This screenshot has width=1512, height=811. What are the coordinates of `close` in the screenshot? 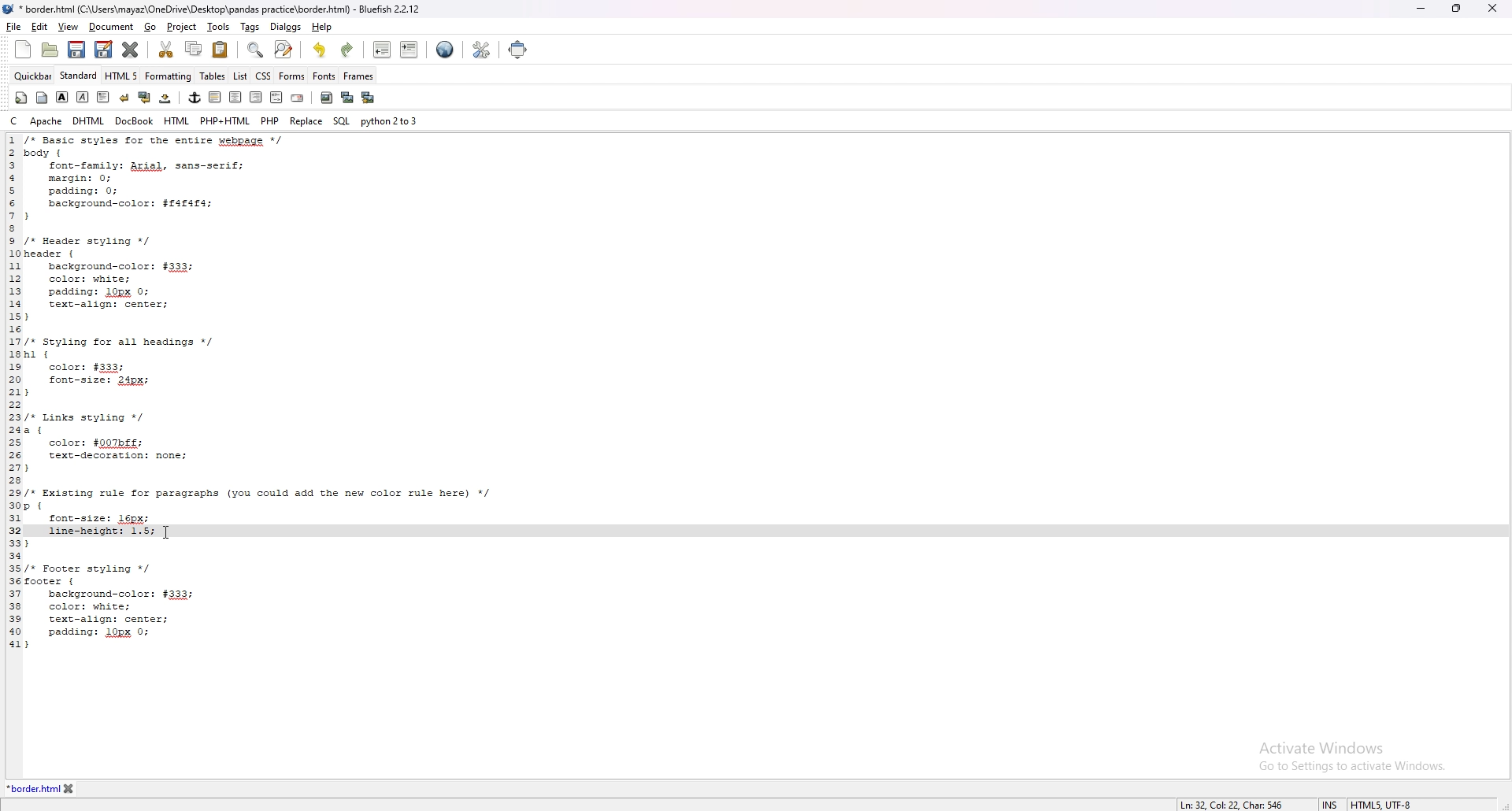 It's located at (1495, 9).